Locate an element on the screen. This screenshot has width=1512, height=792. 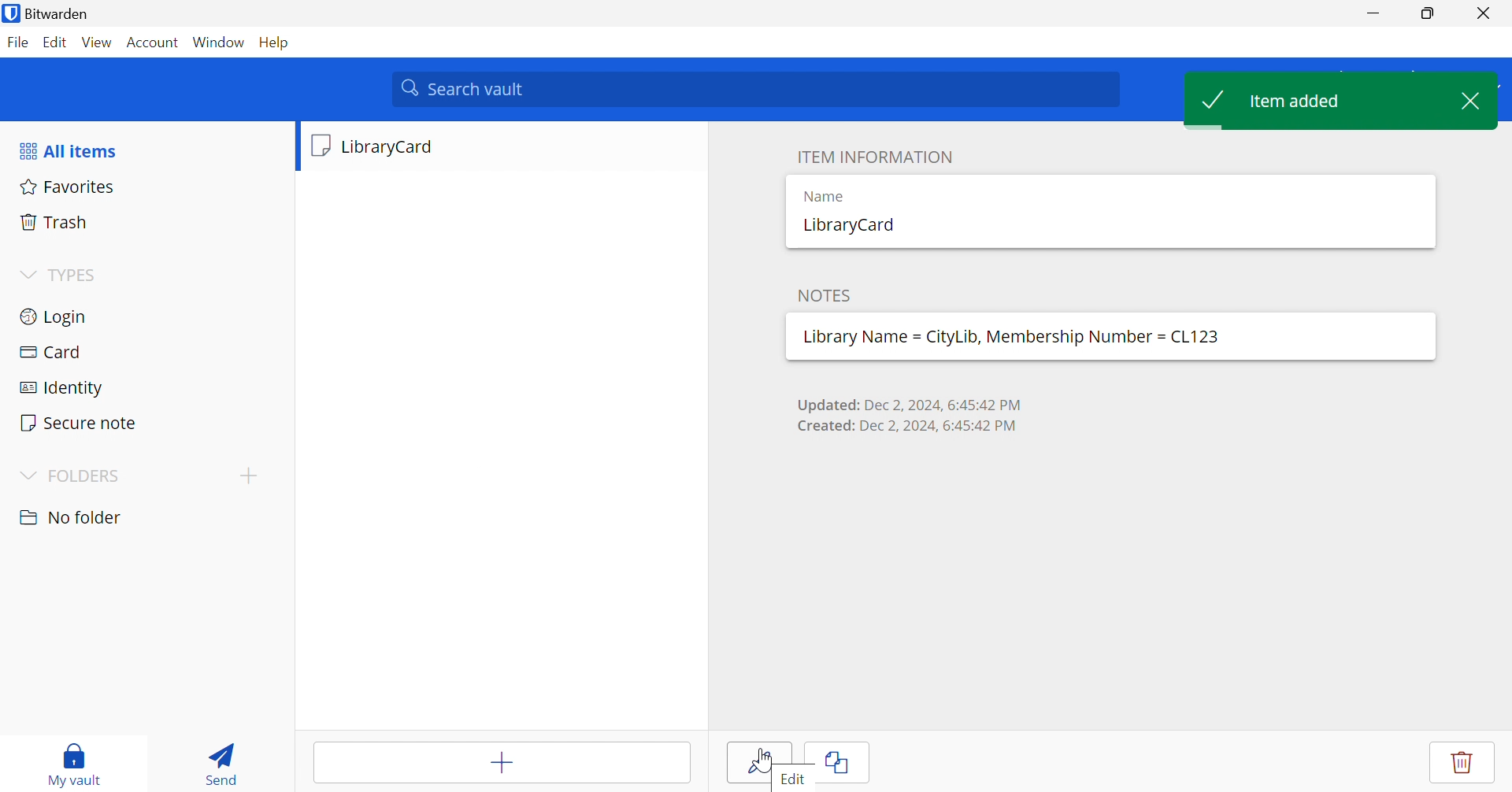
ITEM INFORMATON is located at coordinates (873, 156).